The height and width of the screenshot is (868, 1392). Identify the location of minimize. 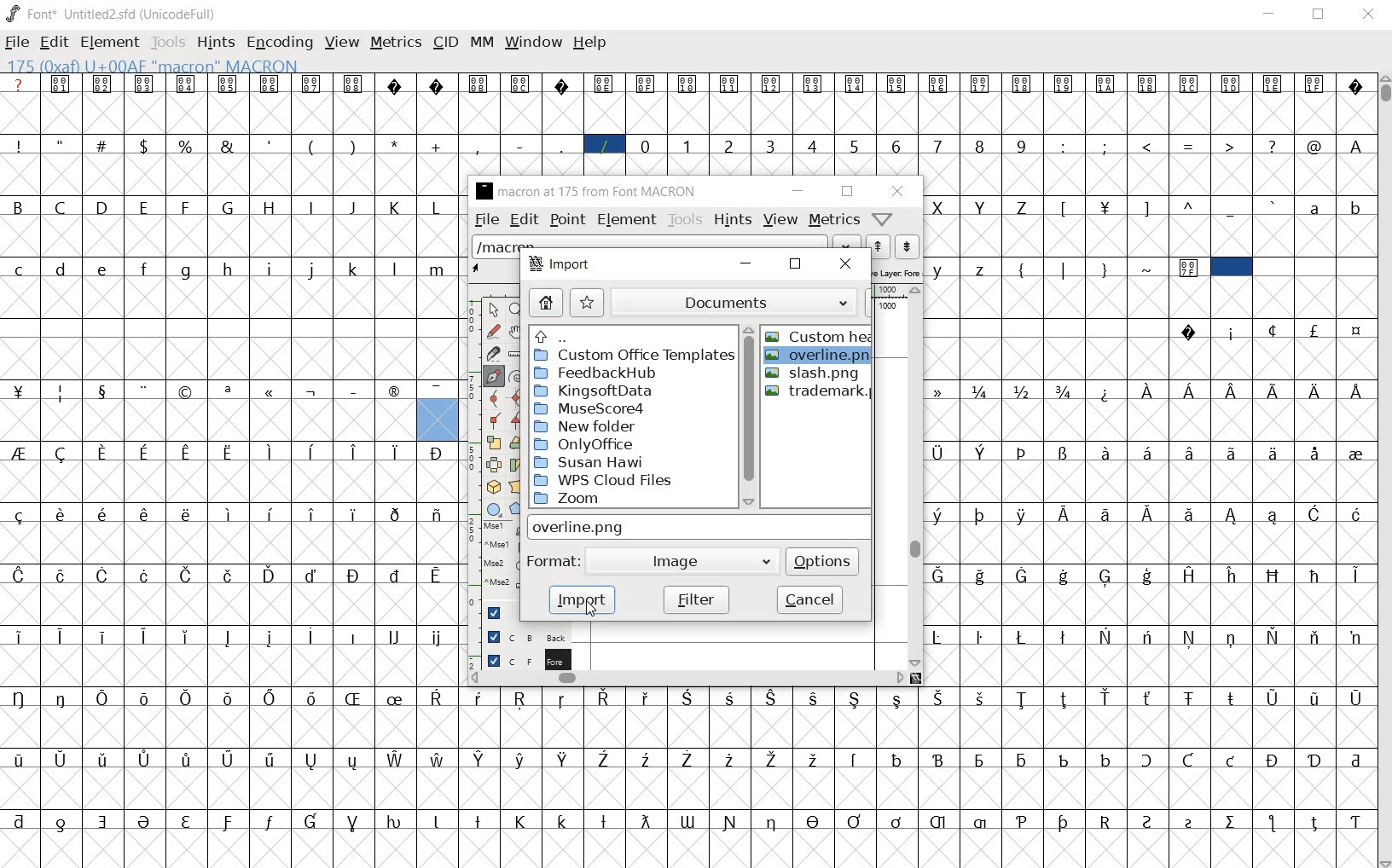
(746, 267).